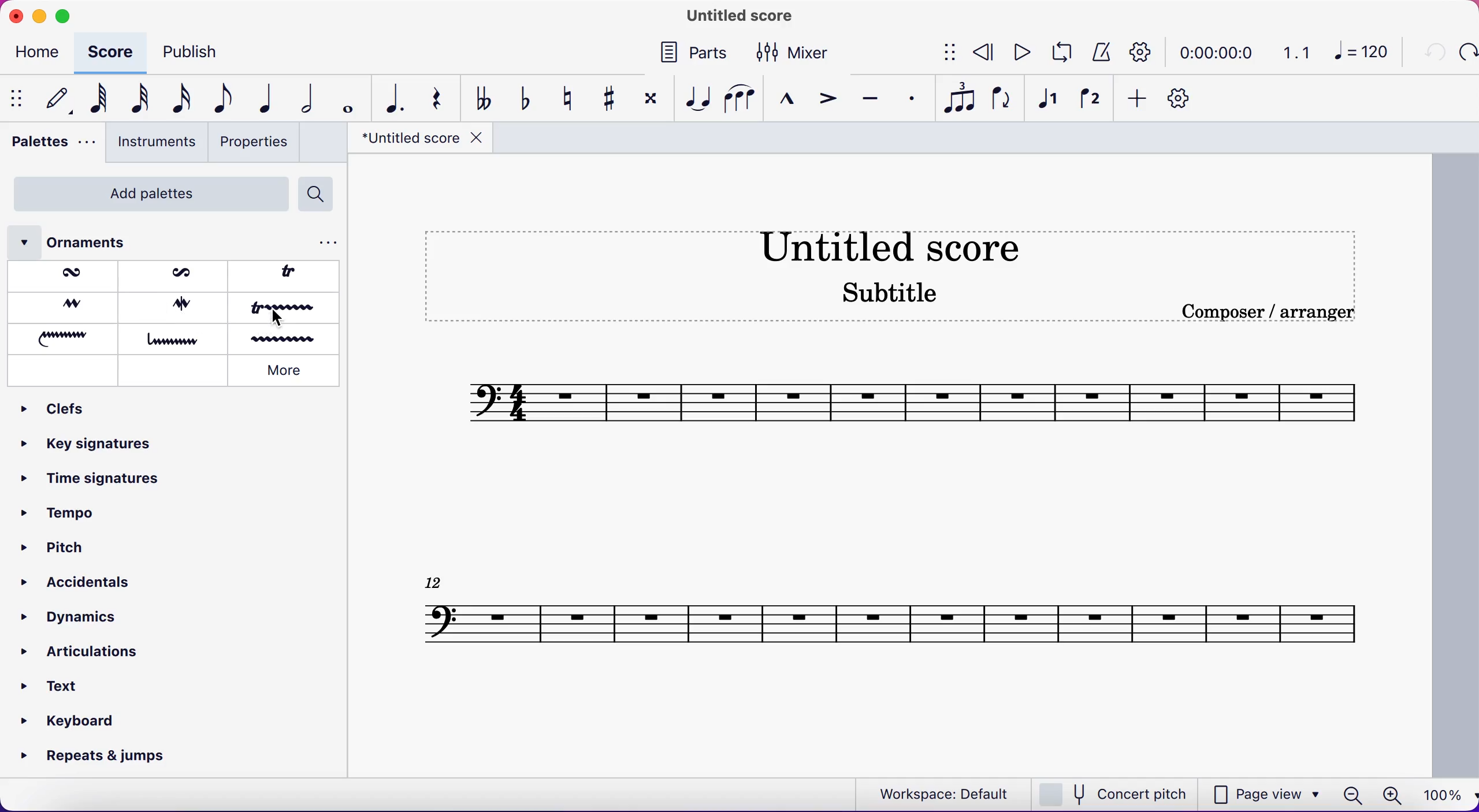  I want to click on 32nd note, so click(134, 99).